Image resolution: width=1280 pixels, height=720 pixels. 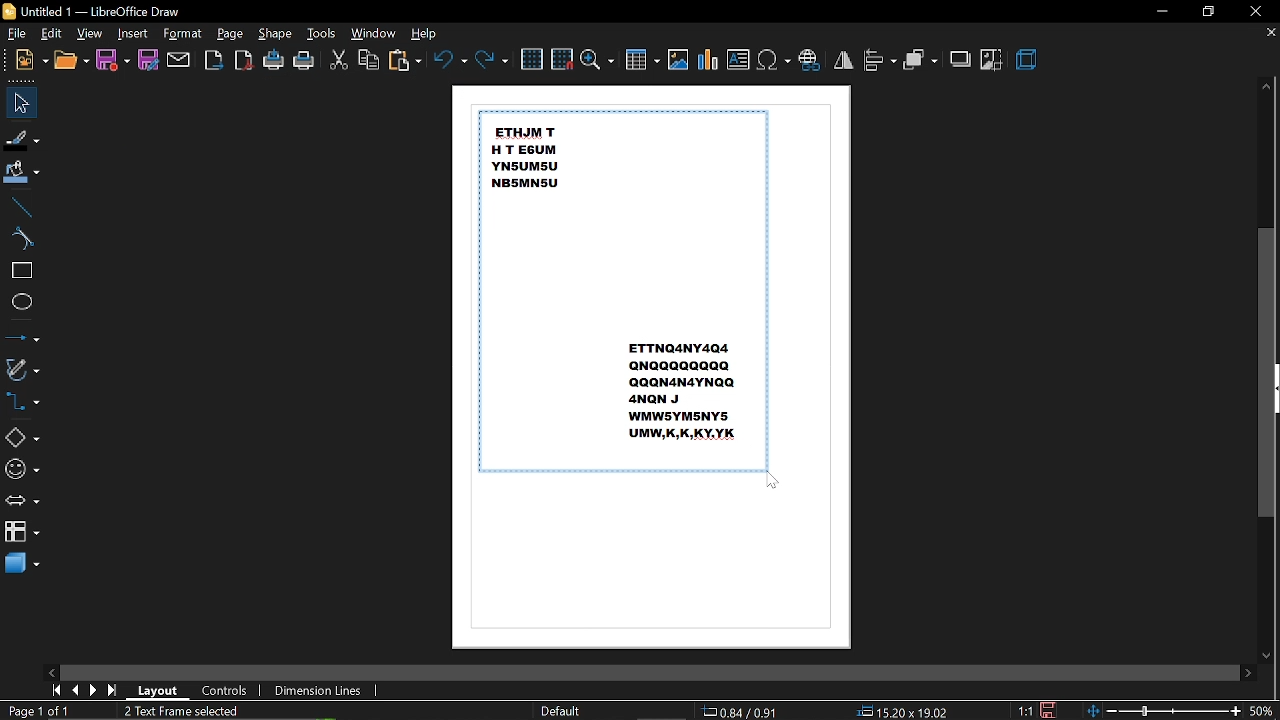 I want to click on print directly, so click(x=274, y=61).